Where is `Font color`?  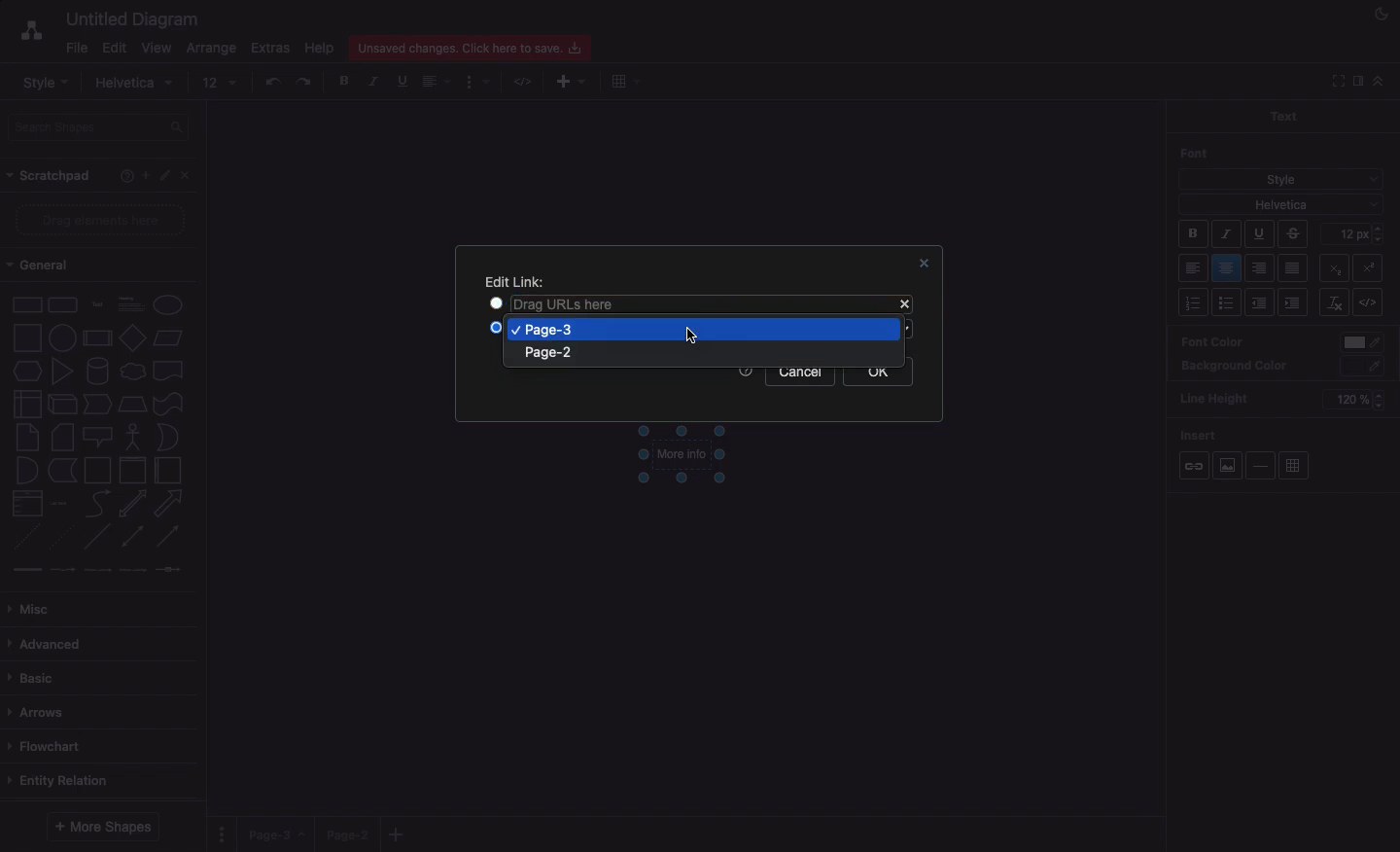
Font color is located at coordinates (1211, 340).